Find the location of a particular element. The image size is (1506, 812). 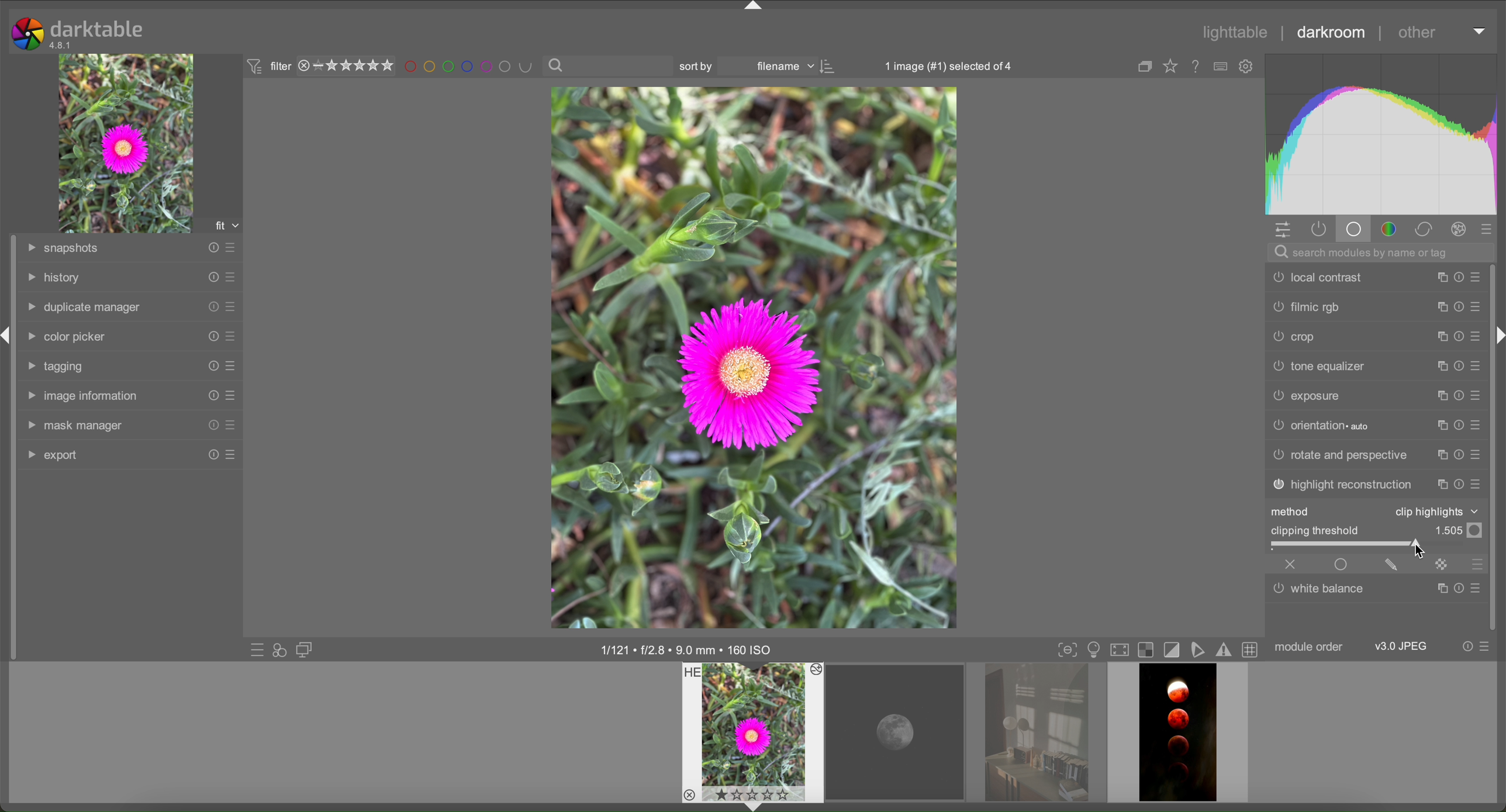

arrow is located at coordinates (1479, 30).